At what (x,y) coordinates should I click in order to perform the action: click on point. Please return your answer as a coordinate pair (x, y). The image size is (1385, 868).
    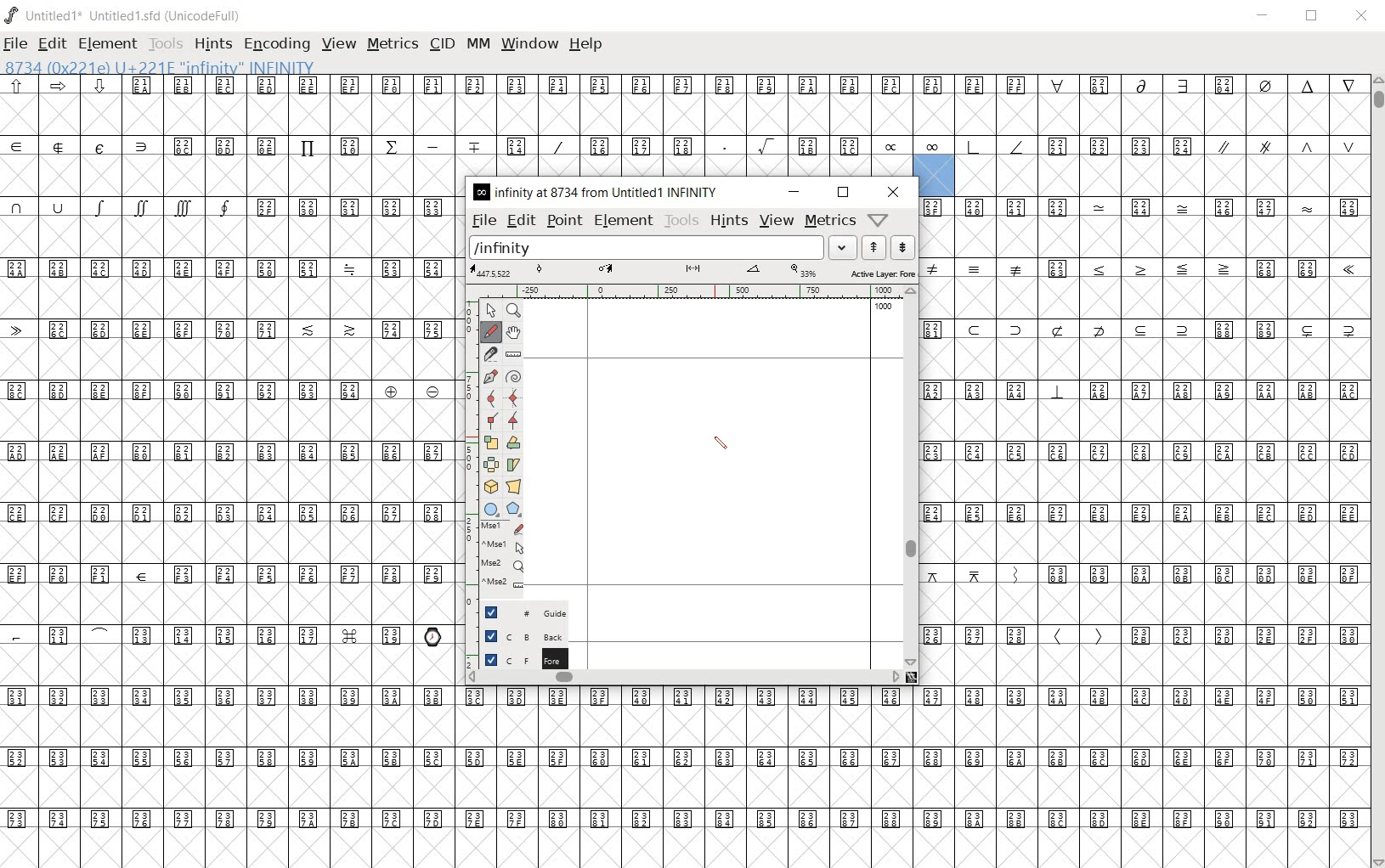
    Looking at the image, I should click on (563, 221).